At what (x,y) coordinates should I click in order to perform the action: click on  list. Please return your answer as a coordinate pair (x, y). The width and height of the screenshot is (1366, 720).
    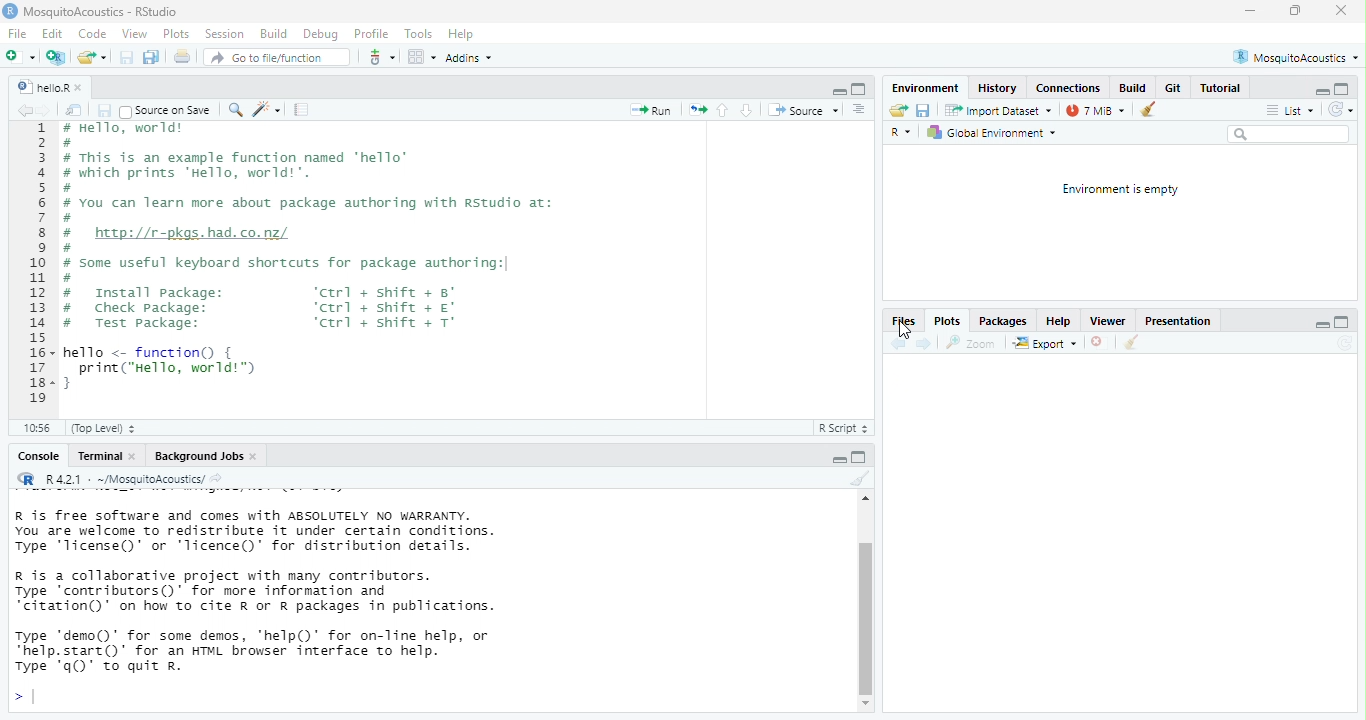
    Looking at the image, I should click on (1292, 110).